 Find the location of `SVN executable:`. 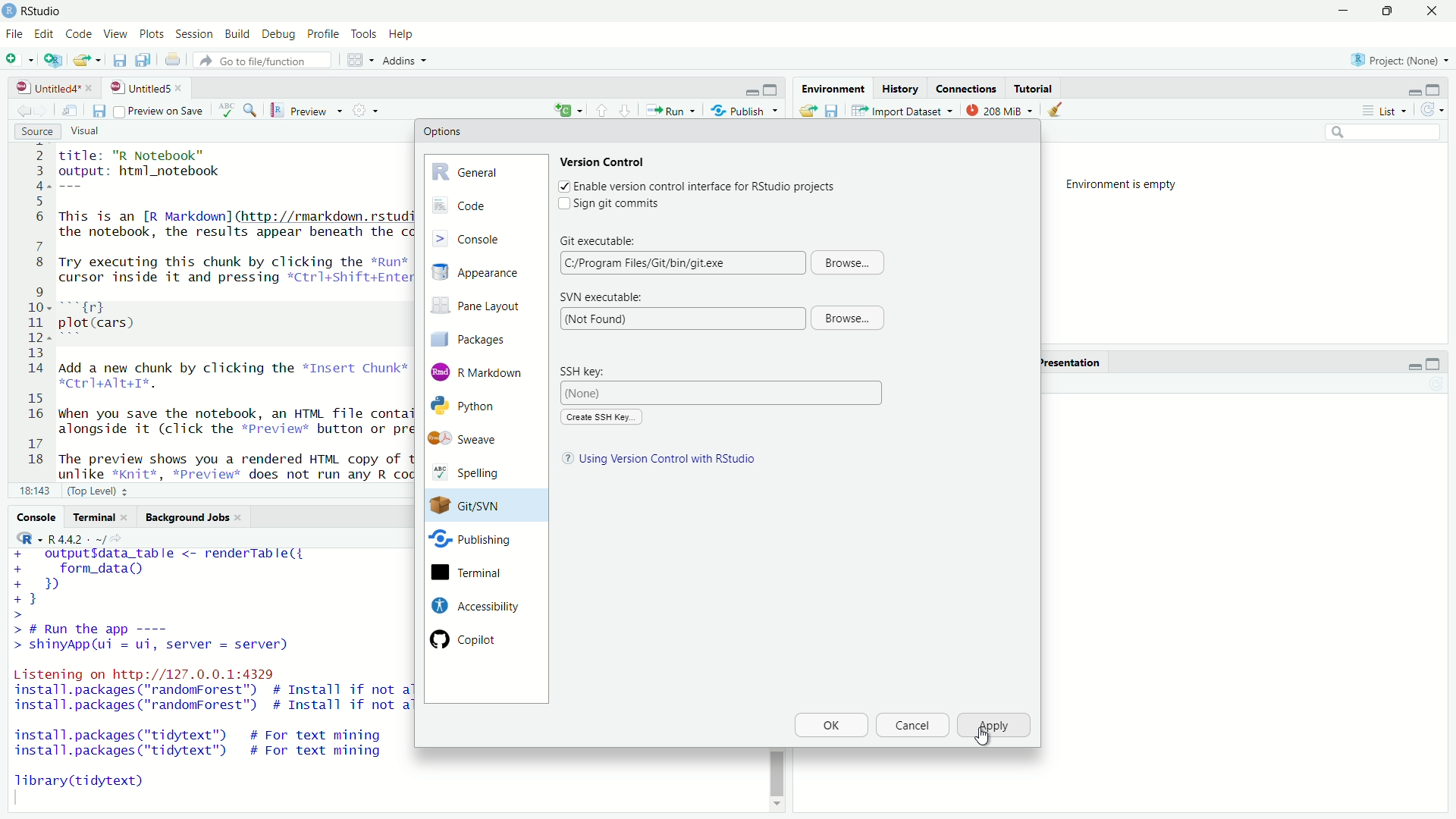

SVN executable: is located at coordinates (601, 297).